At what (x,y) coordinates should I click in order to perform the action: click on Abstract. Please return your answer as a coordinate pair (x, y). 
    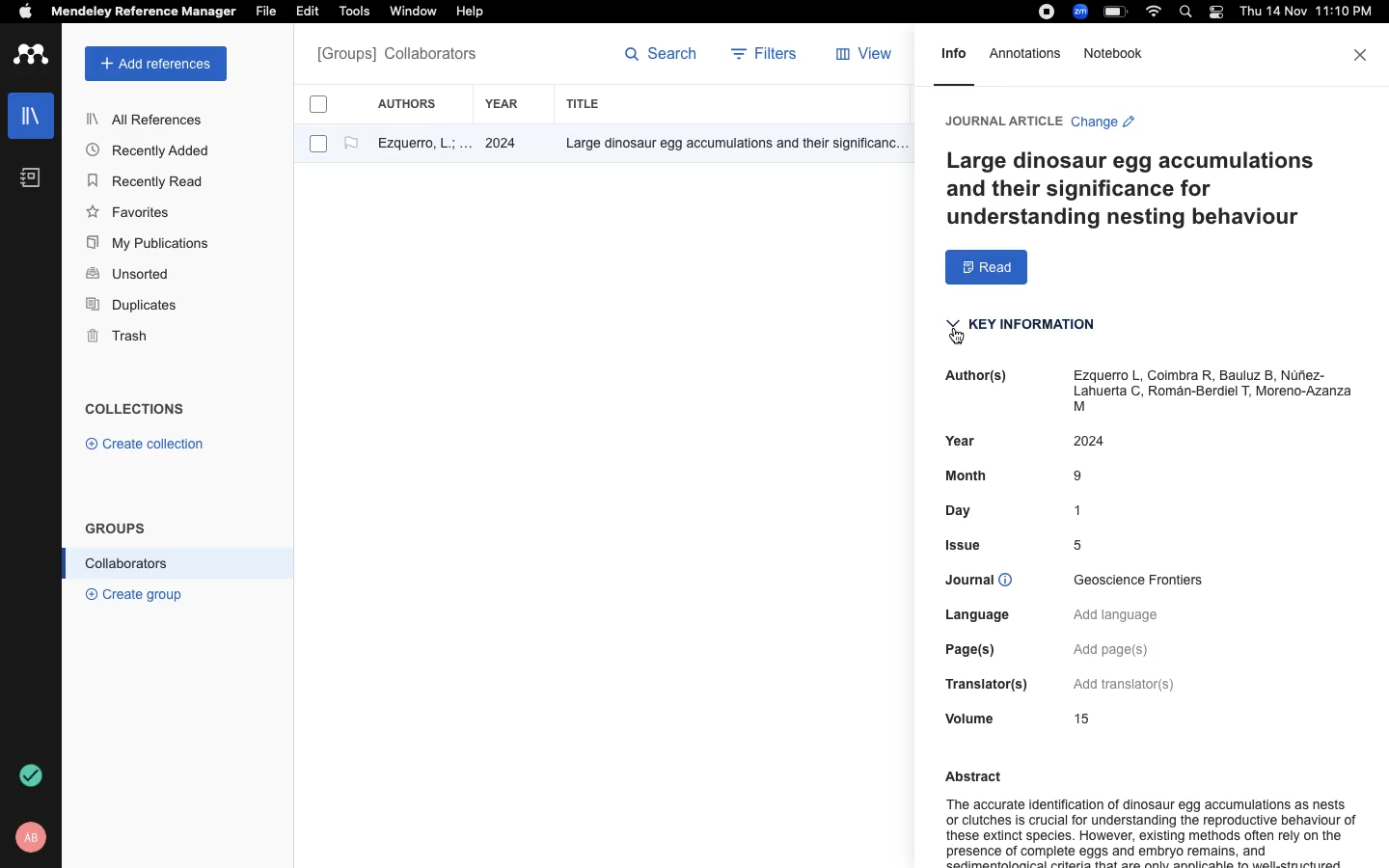
    Looking at the image, I should click on (967, 773).